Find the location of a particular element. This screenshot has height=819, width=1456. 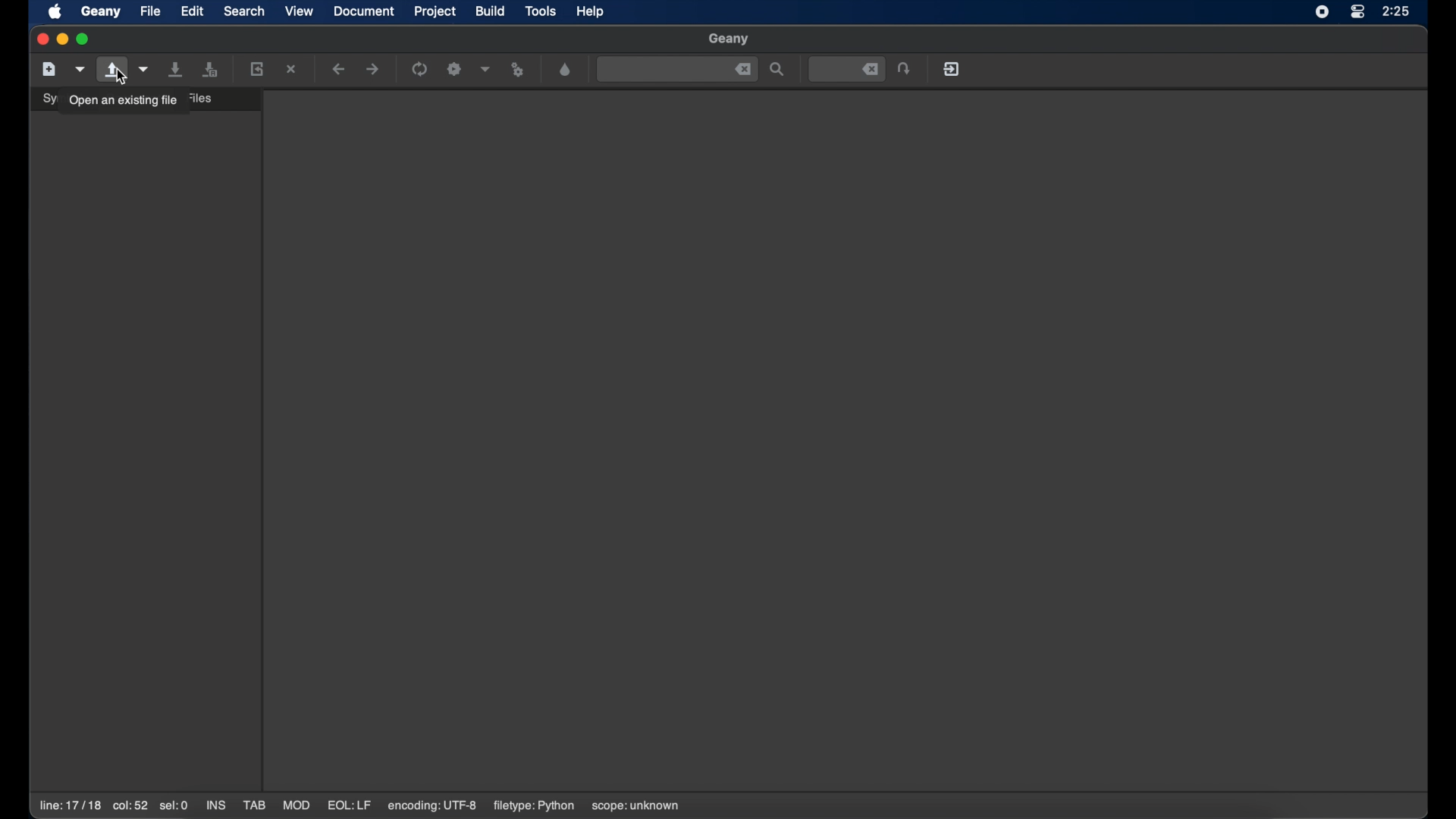

tools is located at coordinates (541, 11).